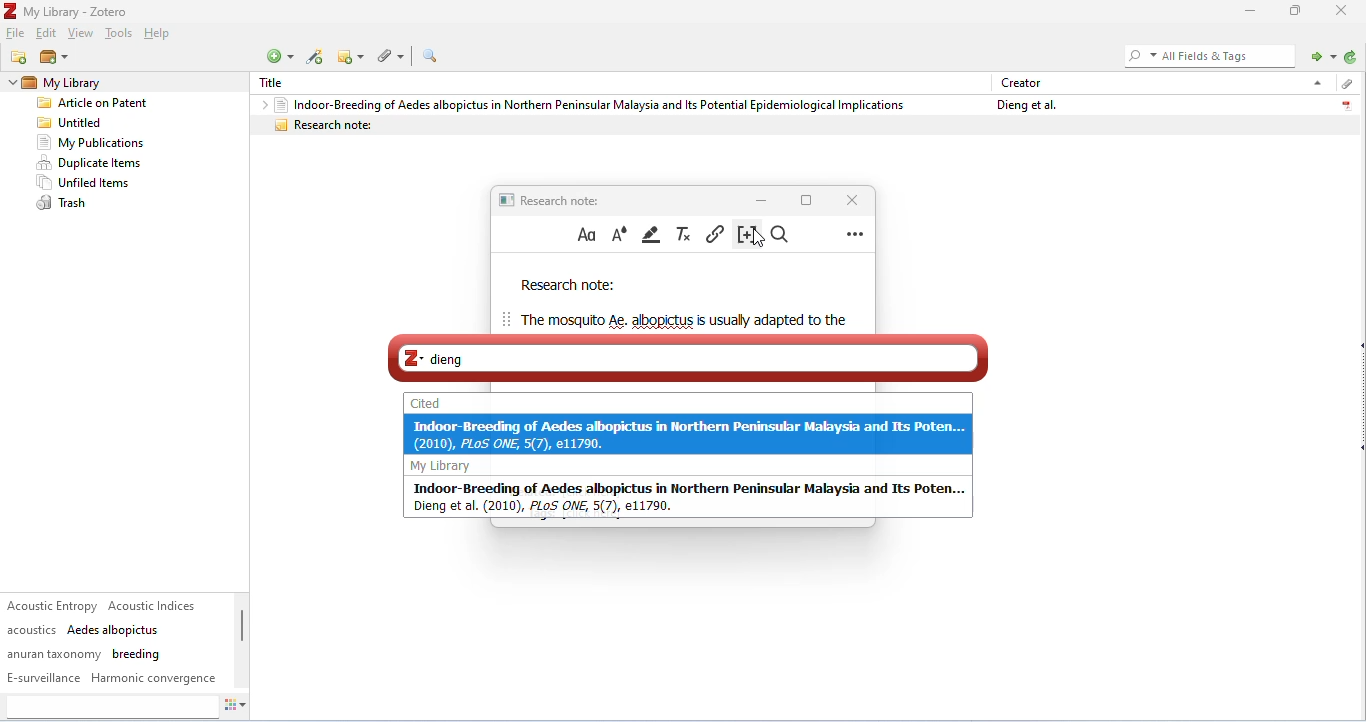 The image size is (1366, 722). I want to click on clear formatting, so click(685, 234).